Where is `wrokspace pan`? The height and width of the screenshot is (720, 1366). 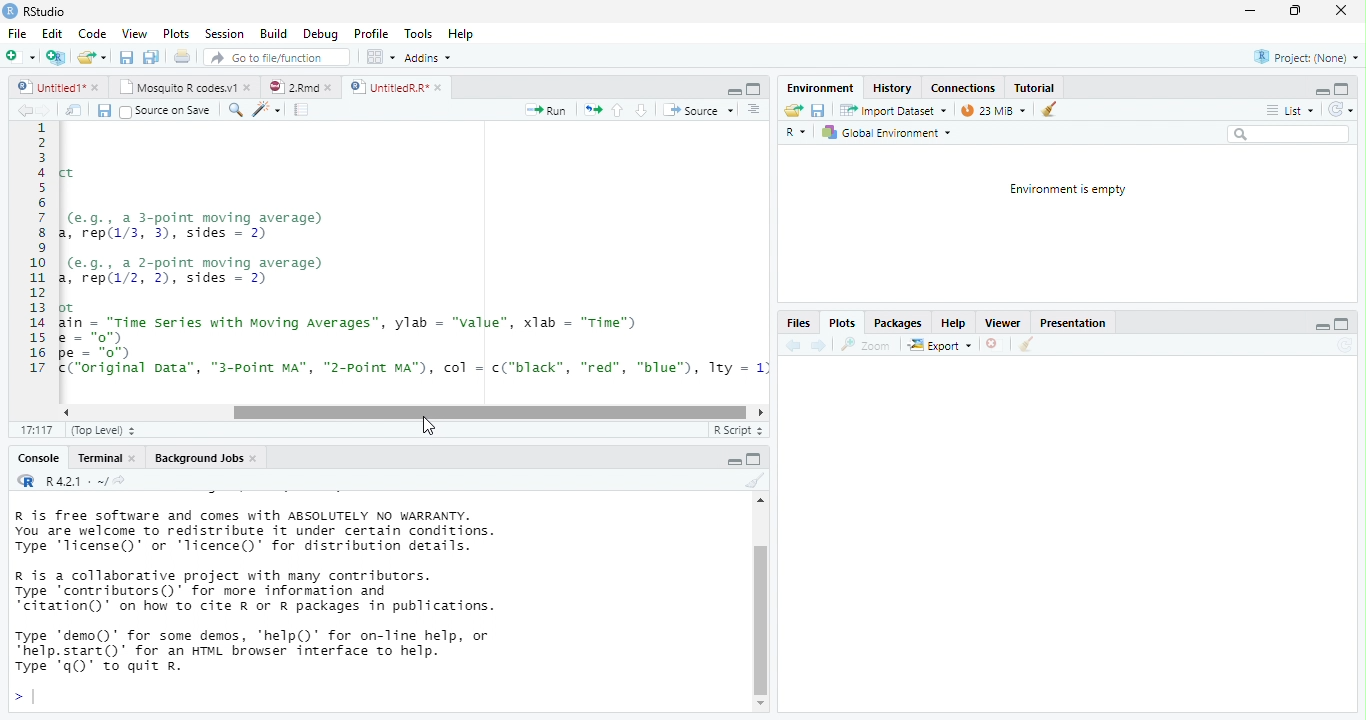 wrokspace pan is located at coordinates (379, 57).